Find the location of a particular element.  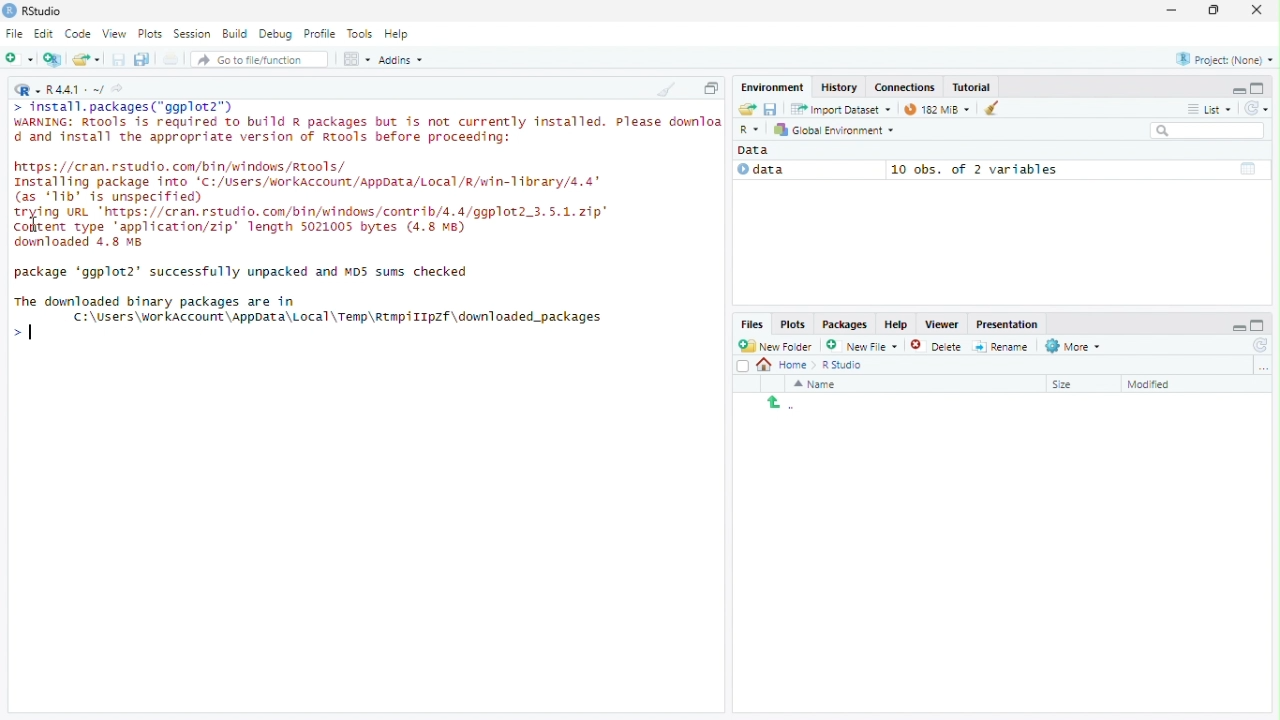

save workspace as is located at coordinates (773, 110).